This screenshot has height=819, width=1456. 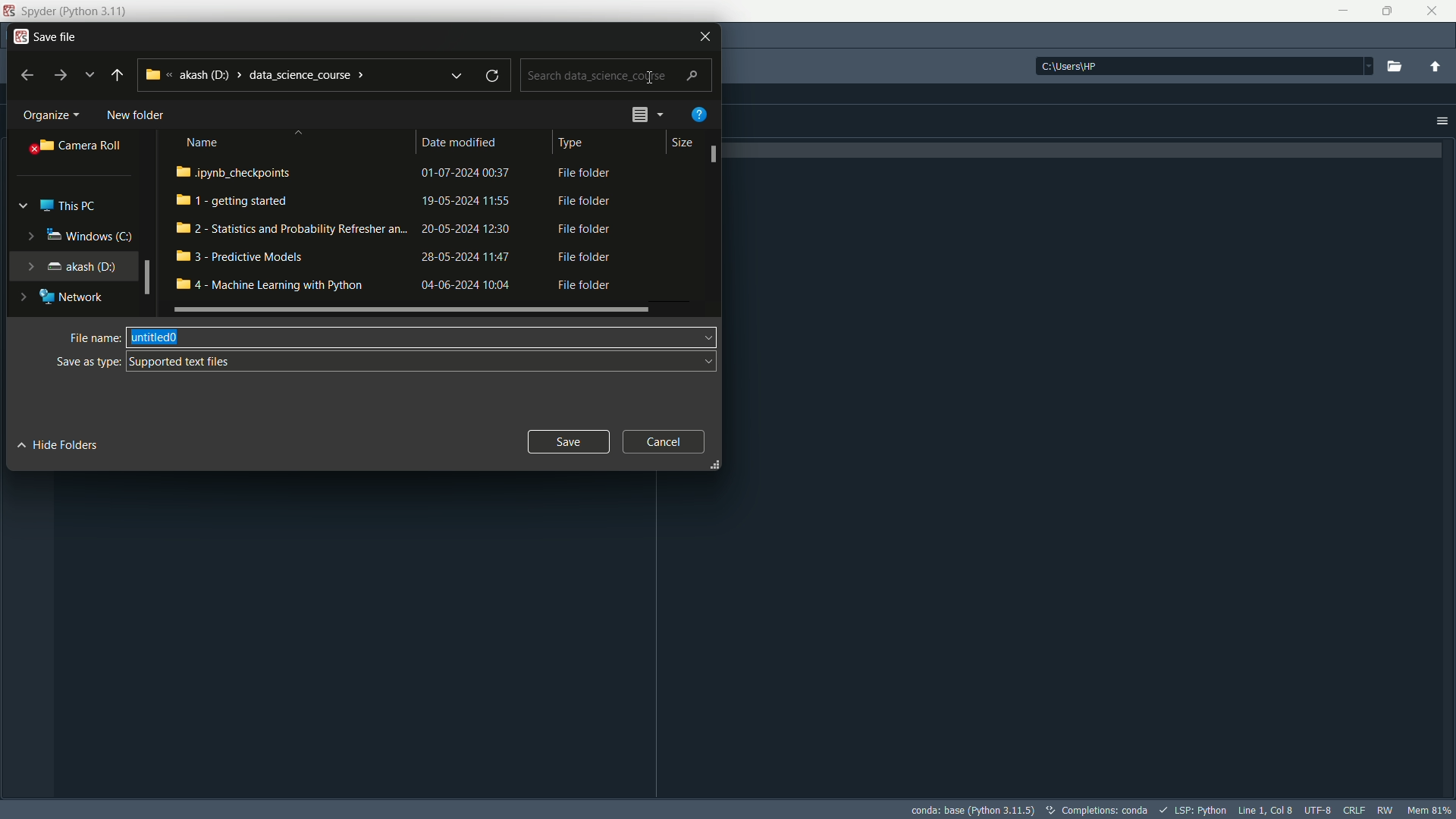 I want to click on Close window, so click(x=705, y=35).